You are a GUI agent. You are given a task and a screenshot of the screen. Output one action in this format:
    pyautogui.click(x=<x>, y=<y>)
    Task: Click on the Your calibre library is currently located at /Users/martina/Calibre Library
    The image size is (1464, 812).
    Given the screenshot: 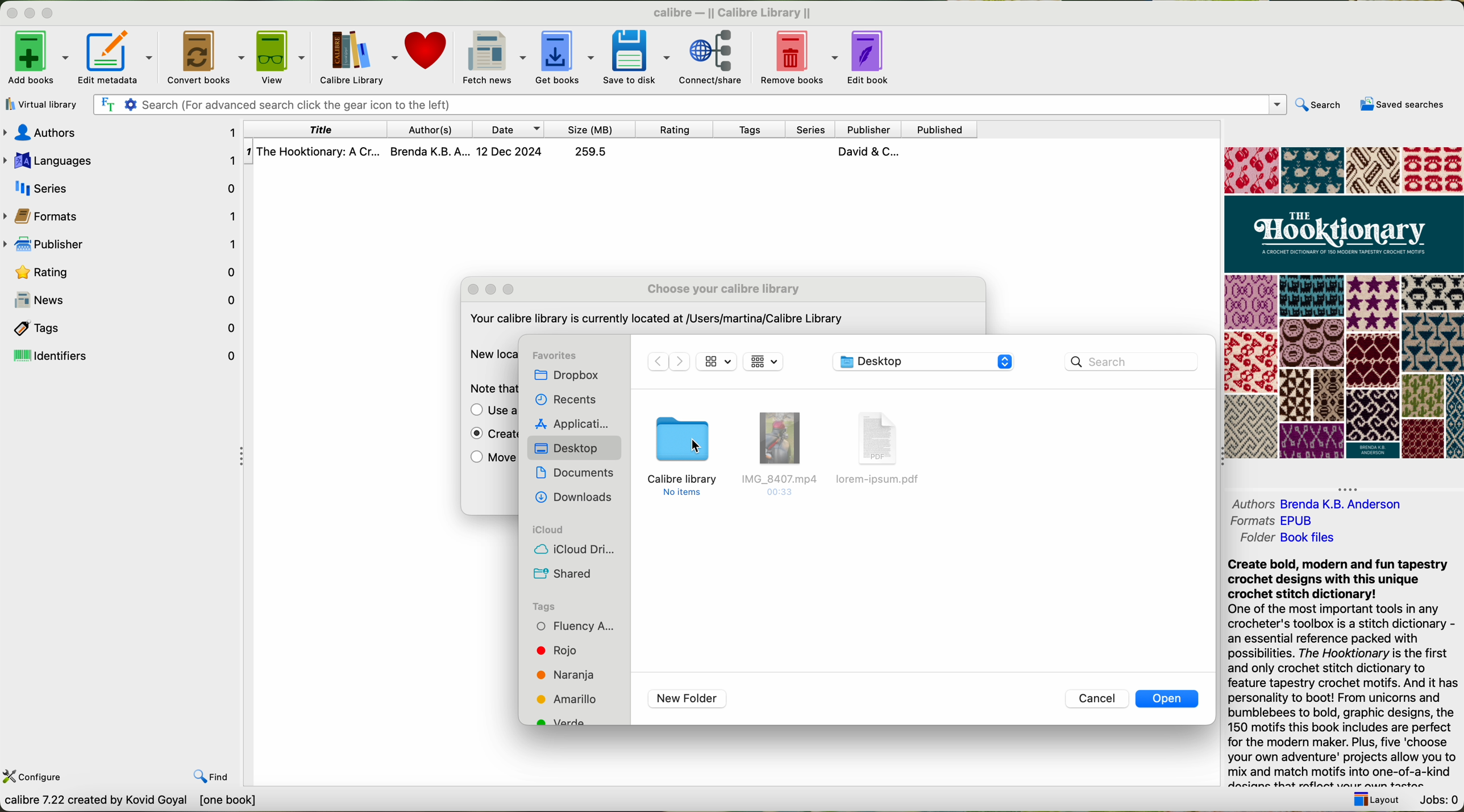 What is the action you would take?
    pyautogui.click(x=659, y=318)
    